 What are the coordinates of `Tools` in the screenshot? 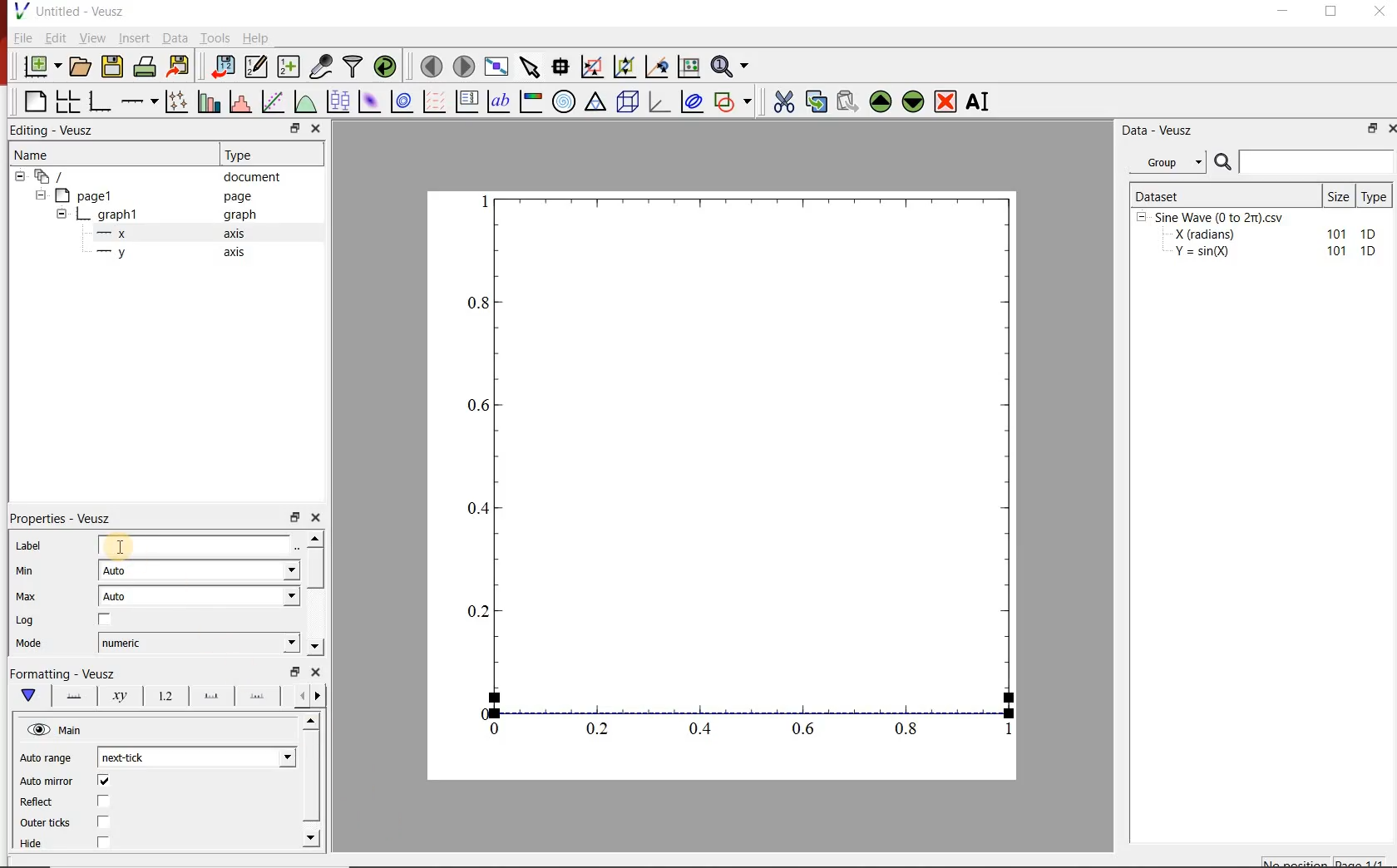 It's located at (215, 37).